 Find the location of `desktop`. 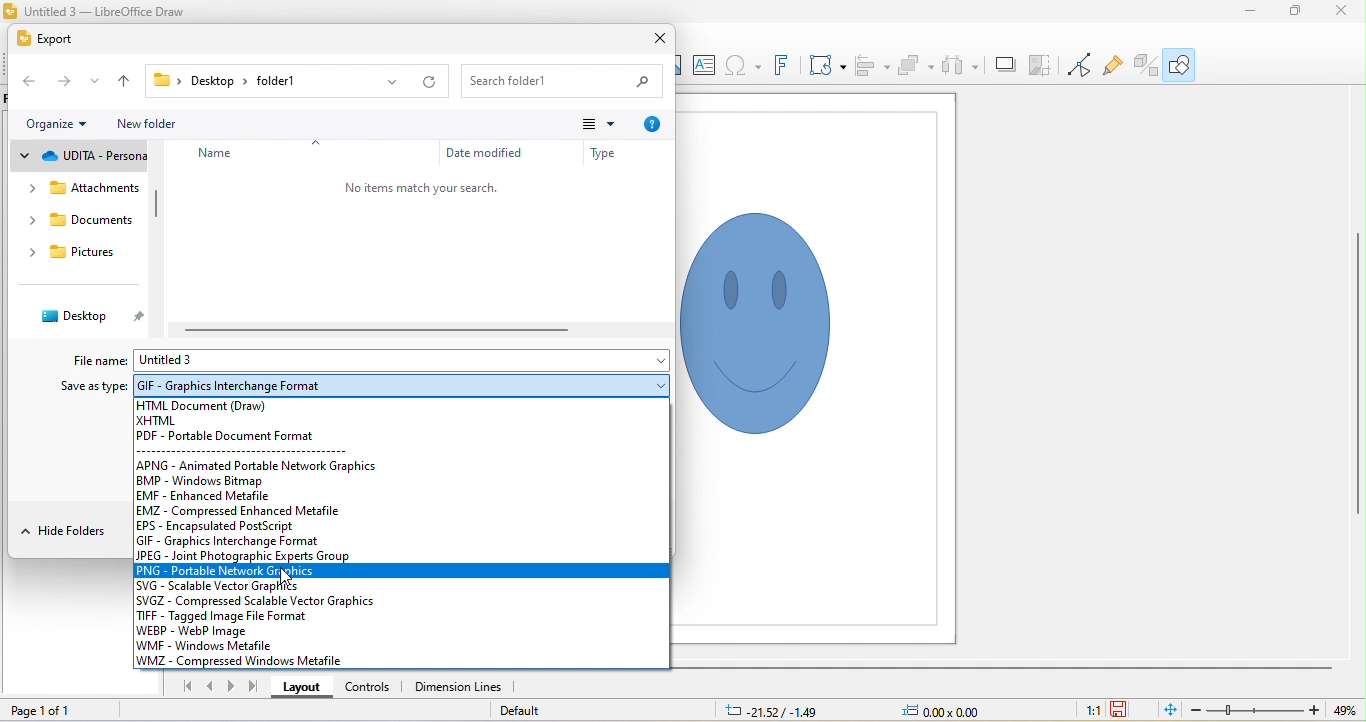

desktop is located at coordinates (74, 317).